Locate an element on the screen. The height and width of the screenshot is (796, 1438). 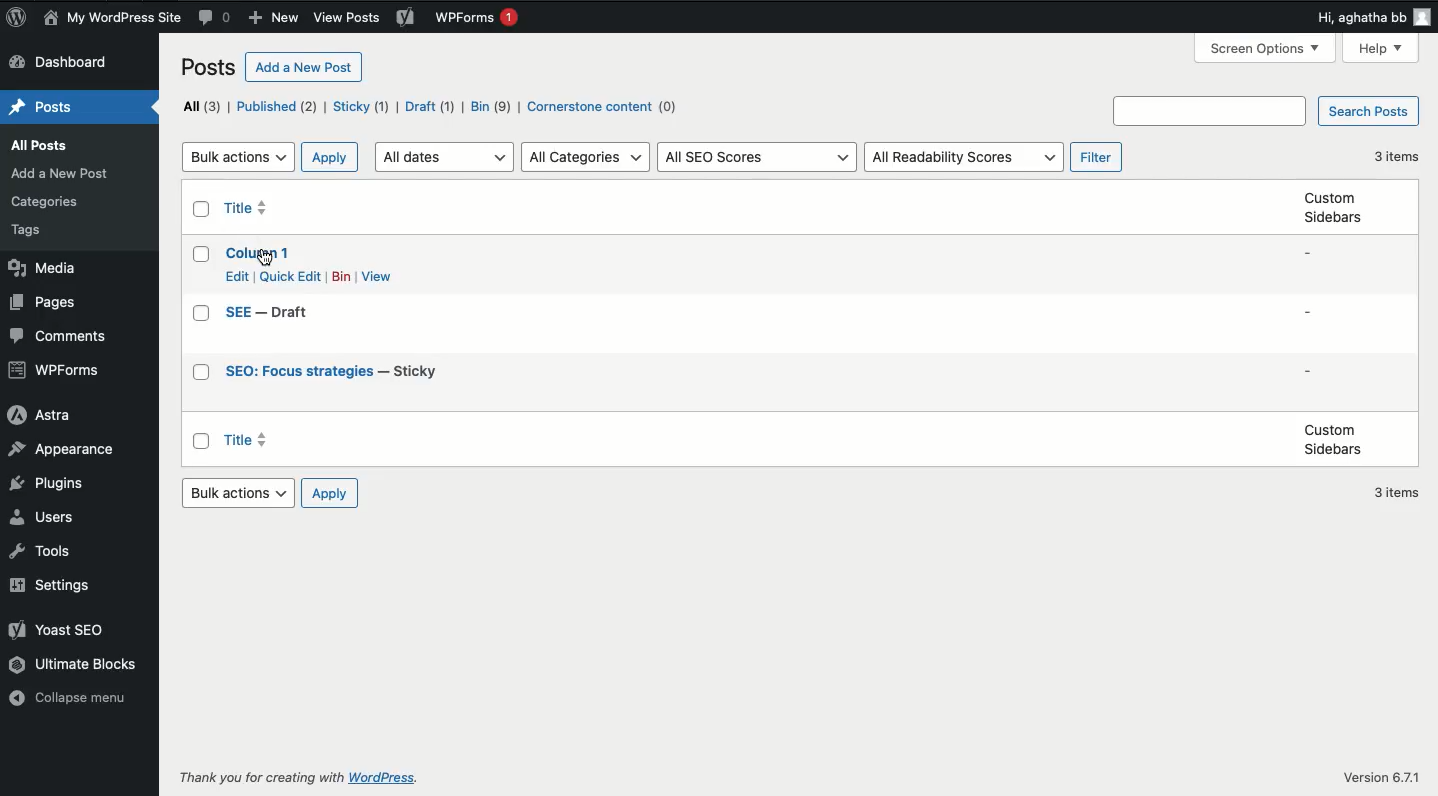
WPForms is located at coordinates (58, 369).